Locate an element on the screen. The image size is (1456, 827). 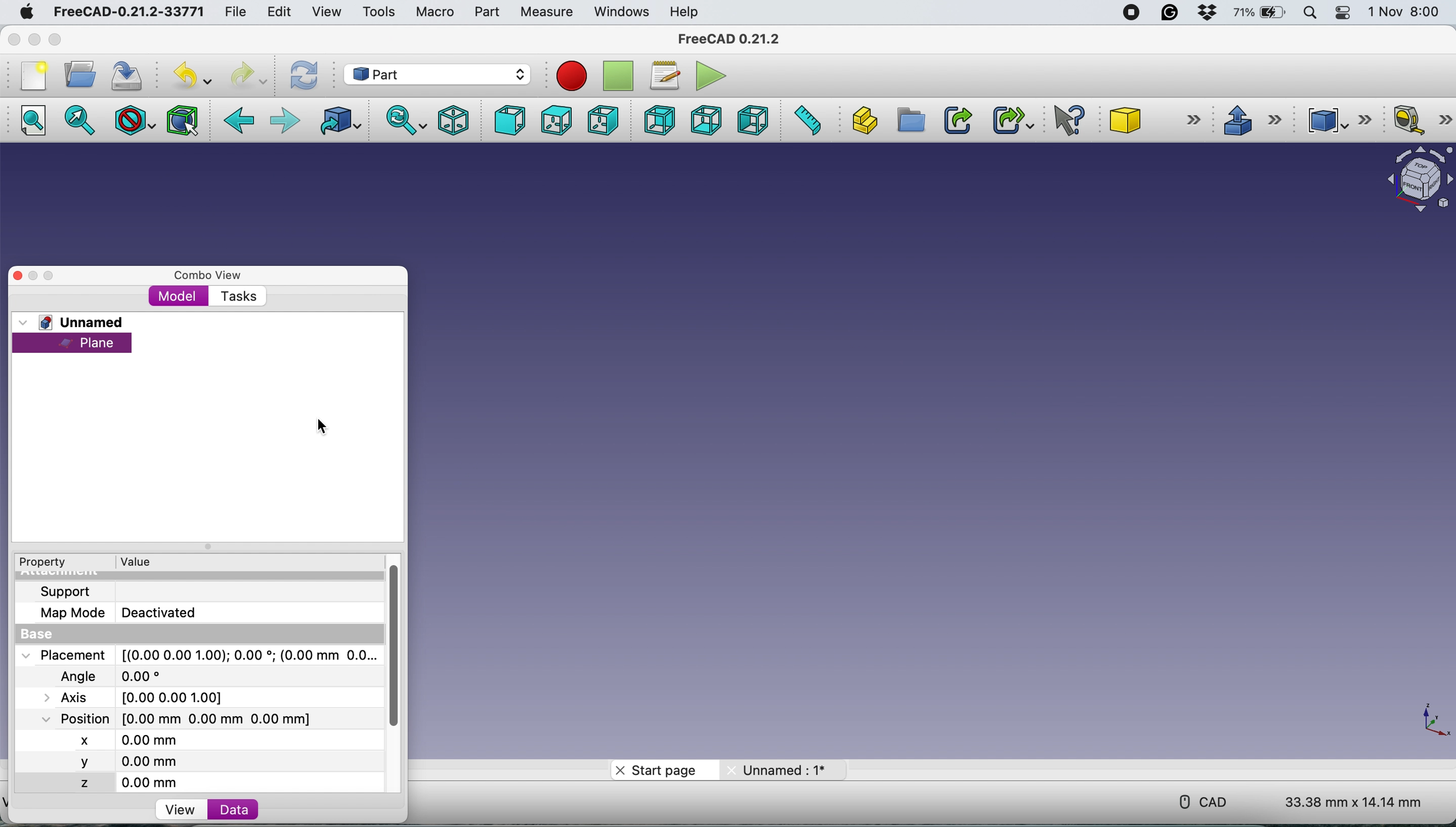
create part is located at coordinates (862, 119).